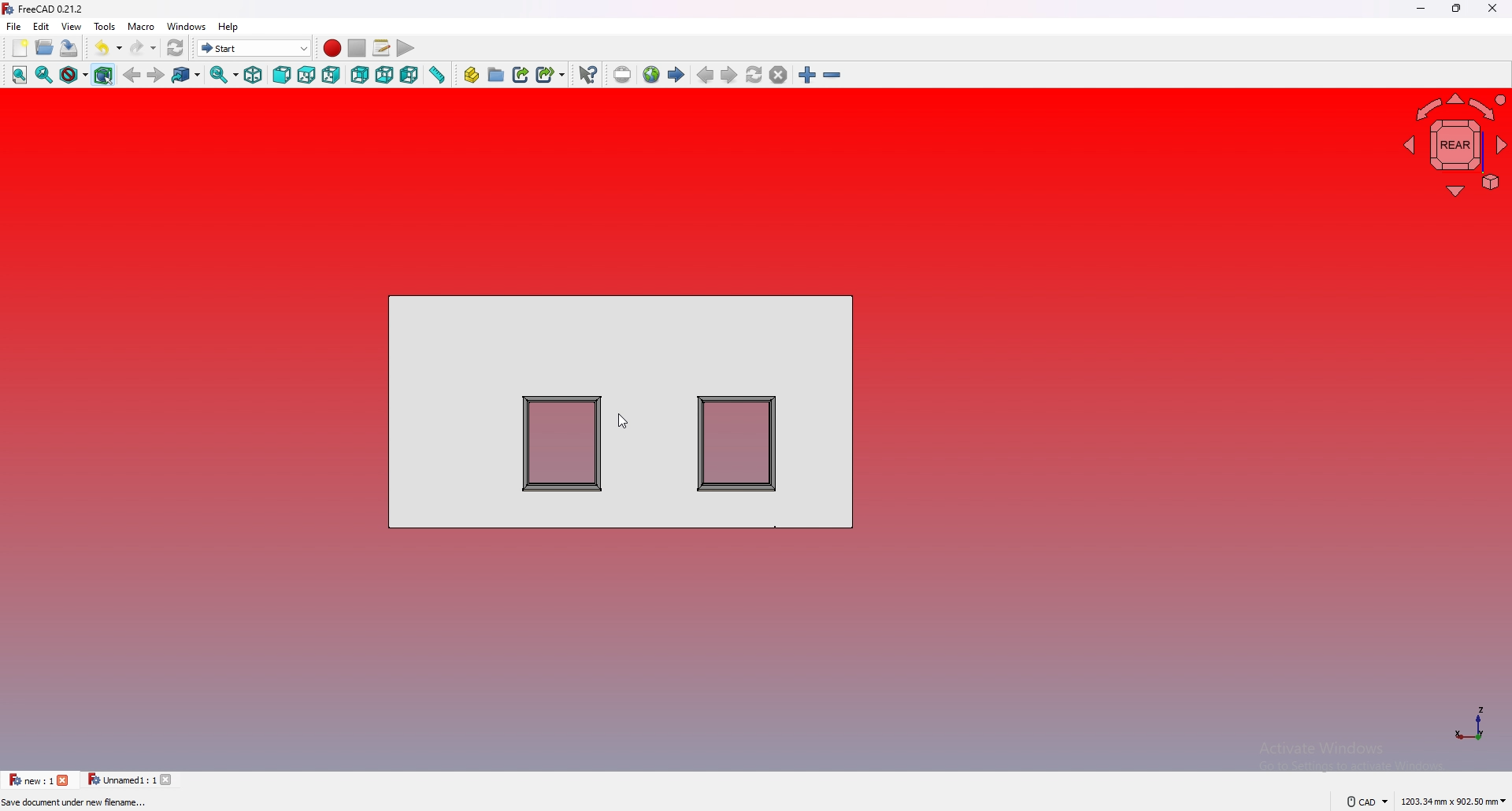 The image size is (1512, 811). I want to click on new, so click(20, 49).